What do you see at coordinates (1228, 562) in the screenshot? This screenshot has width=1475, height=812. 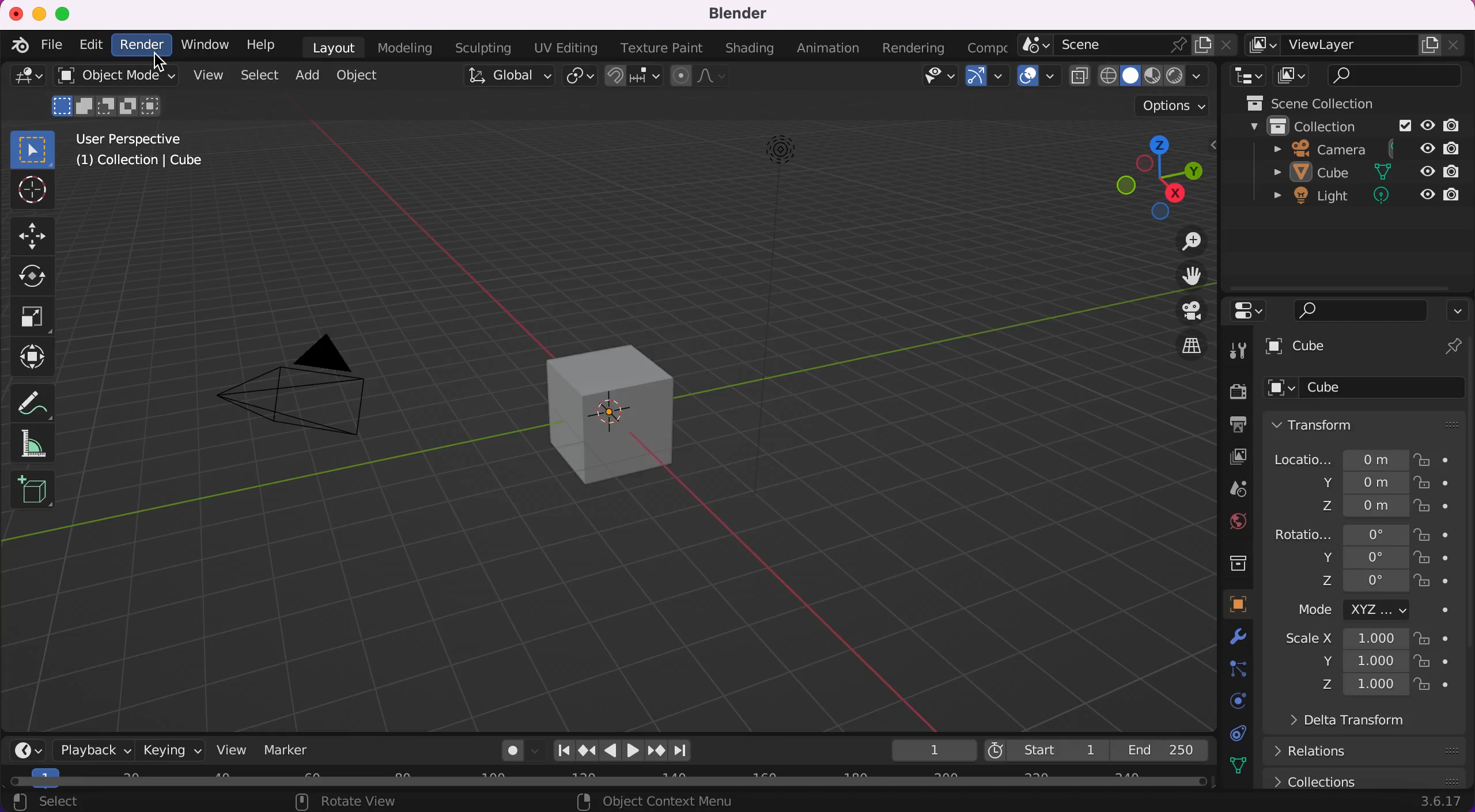 I see `collections` at bounding box center [1228, 562].